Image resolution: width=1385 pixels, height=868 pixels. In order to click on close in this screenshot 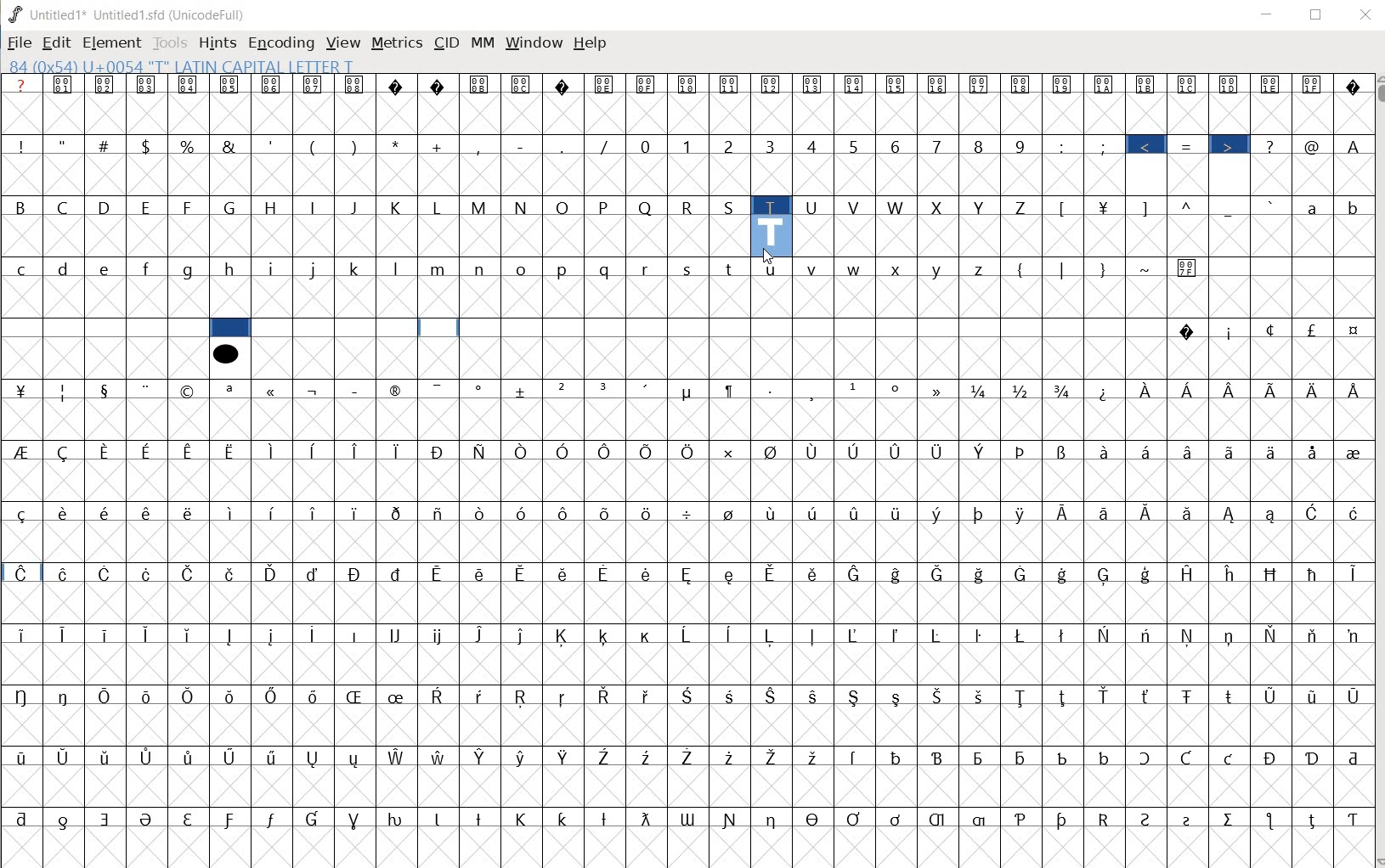, I will do `click(1367, 15)`.